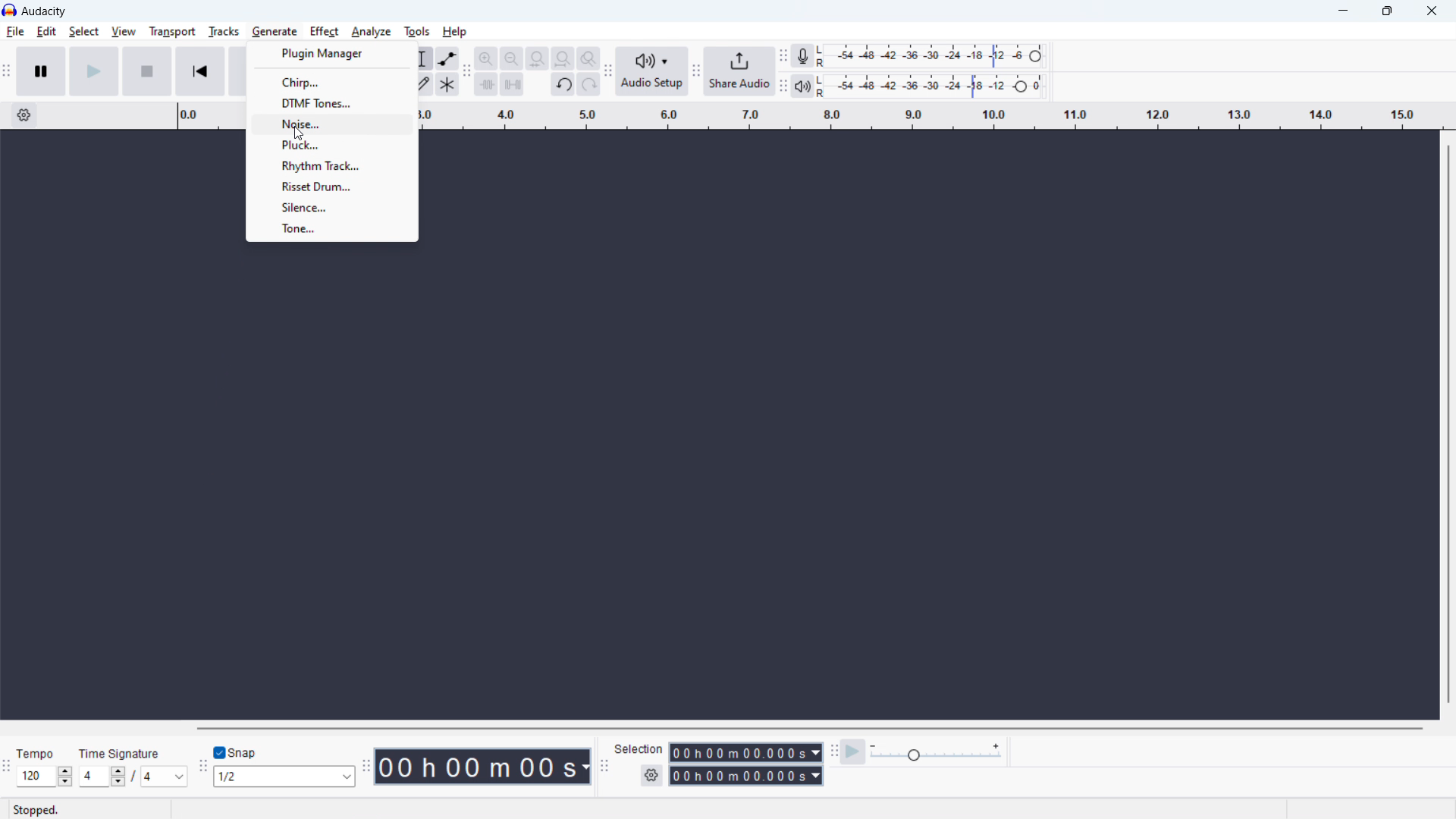 The height and width of the screenshot is (819, 1456). I want to click on tools, so click(417, 30).